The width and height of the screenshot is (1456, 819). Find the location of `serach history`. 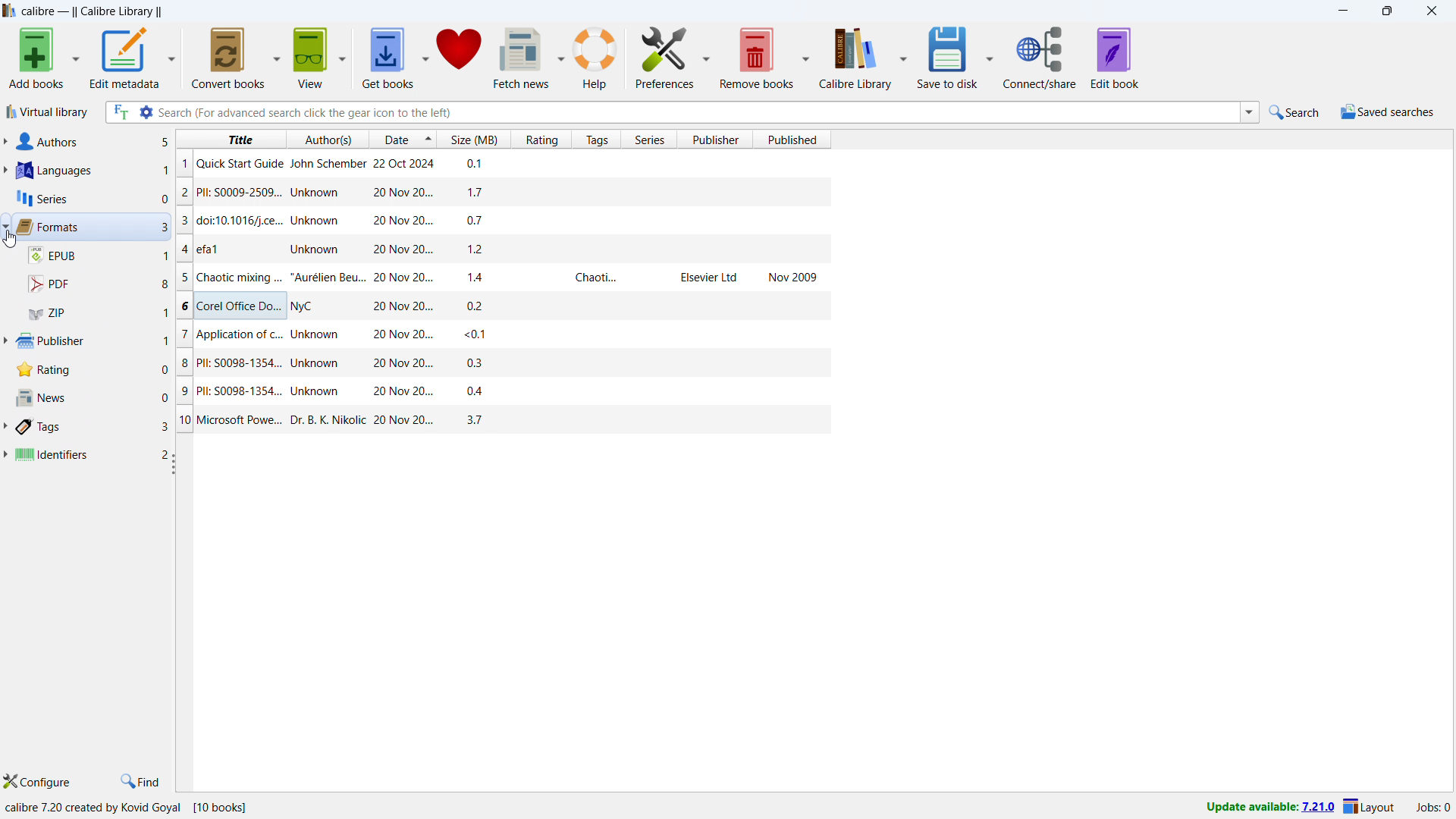

serach history is located at coordinates (1250, 112).